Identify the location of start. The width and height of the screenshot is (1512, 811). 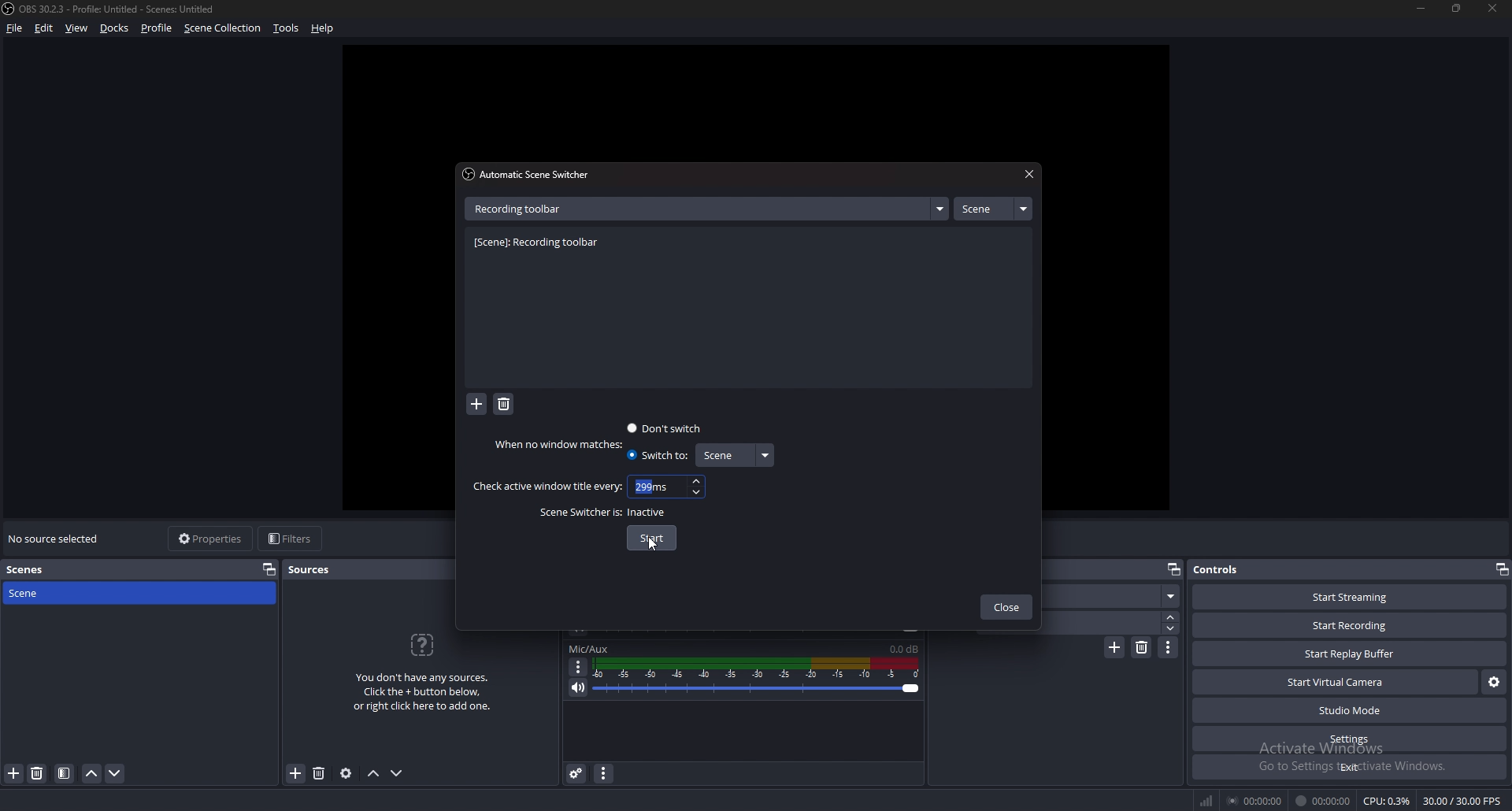
(652, 539).